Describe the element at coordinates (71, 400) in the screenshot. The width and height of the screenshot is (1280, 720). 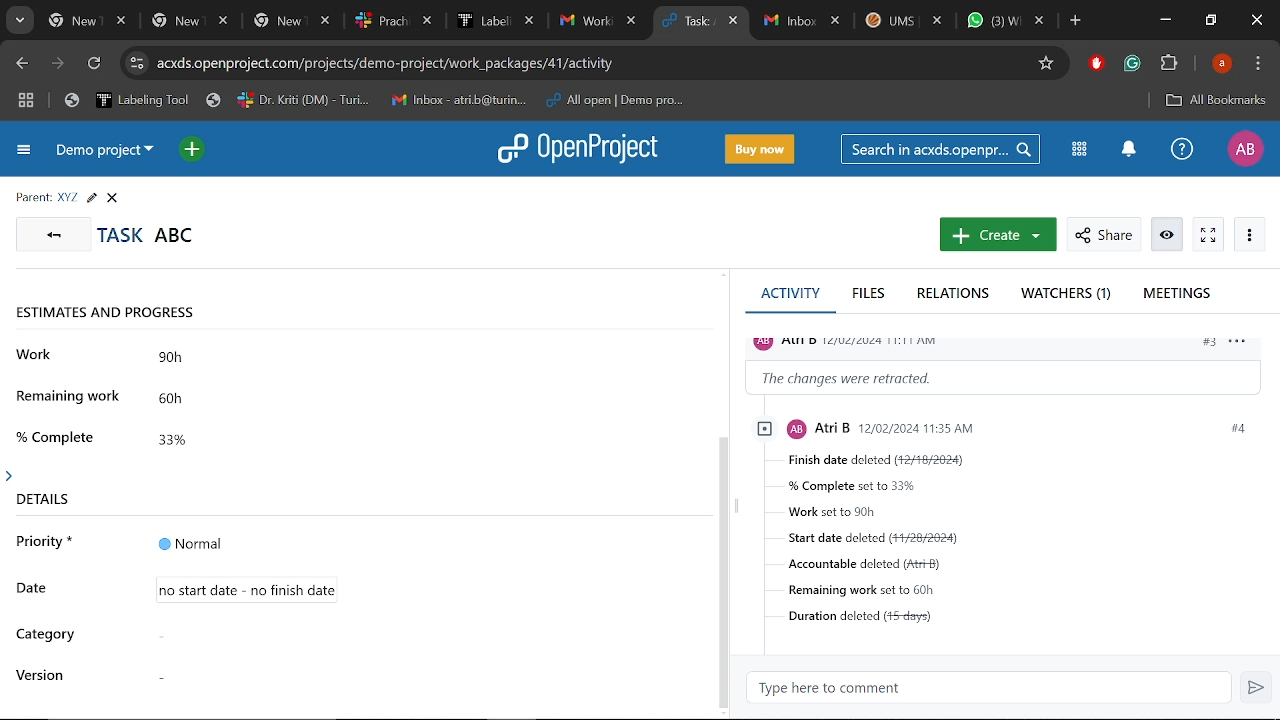
I see `remaining work` at that location.